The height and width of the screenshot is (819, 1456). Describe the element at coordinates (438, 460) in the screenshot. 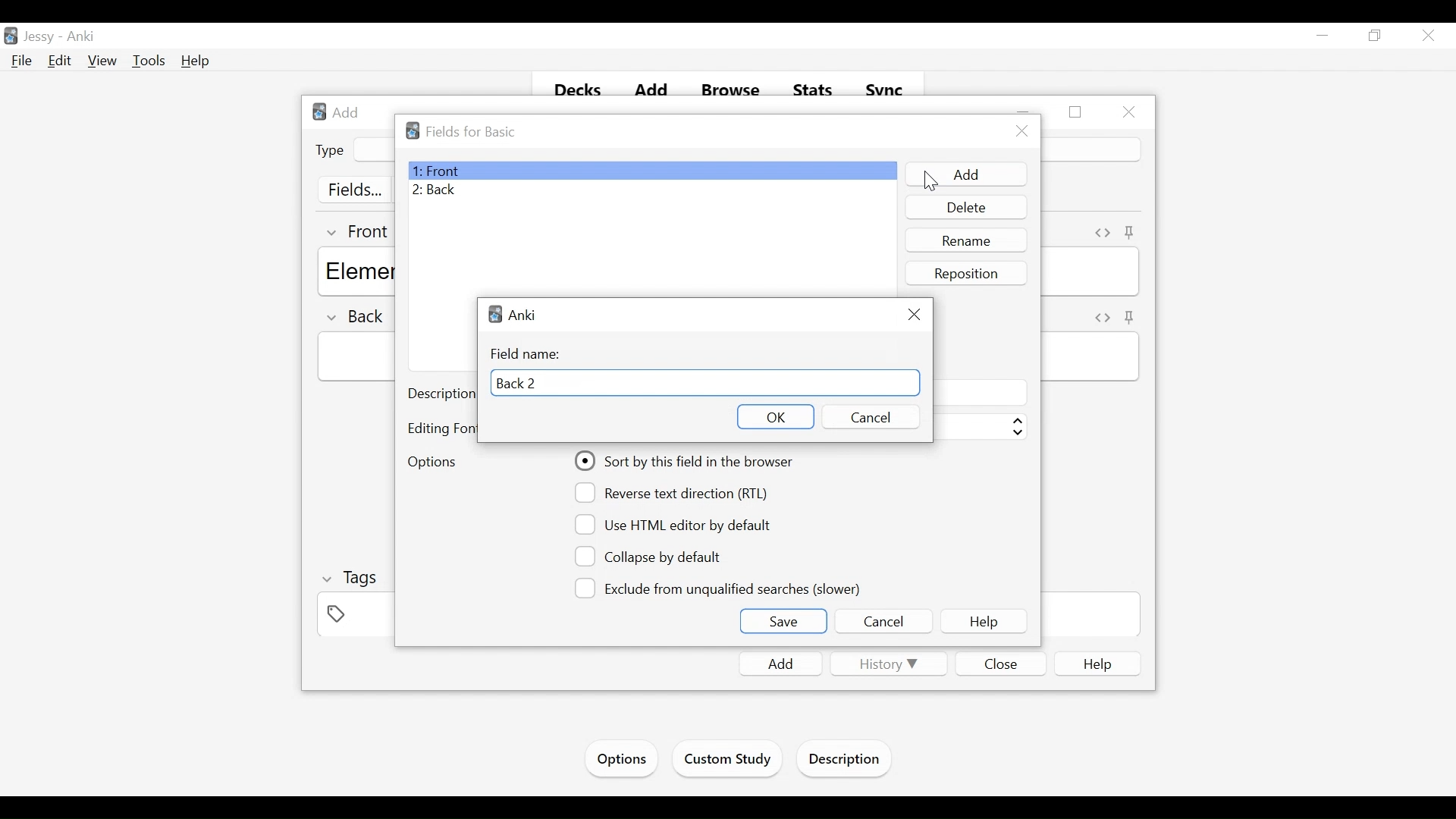

I see `Options` at that location.